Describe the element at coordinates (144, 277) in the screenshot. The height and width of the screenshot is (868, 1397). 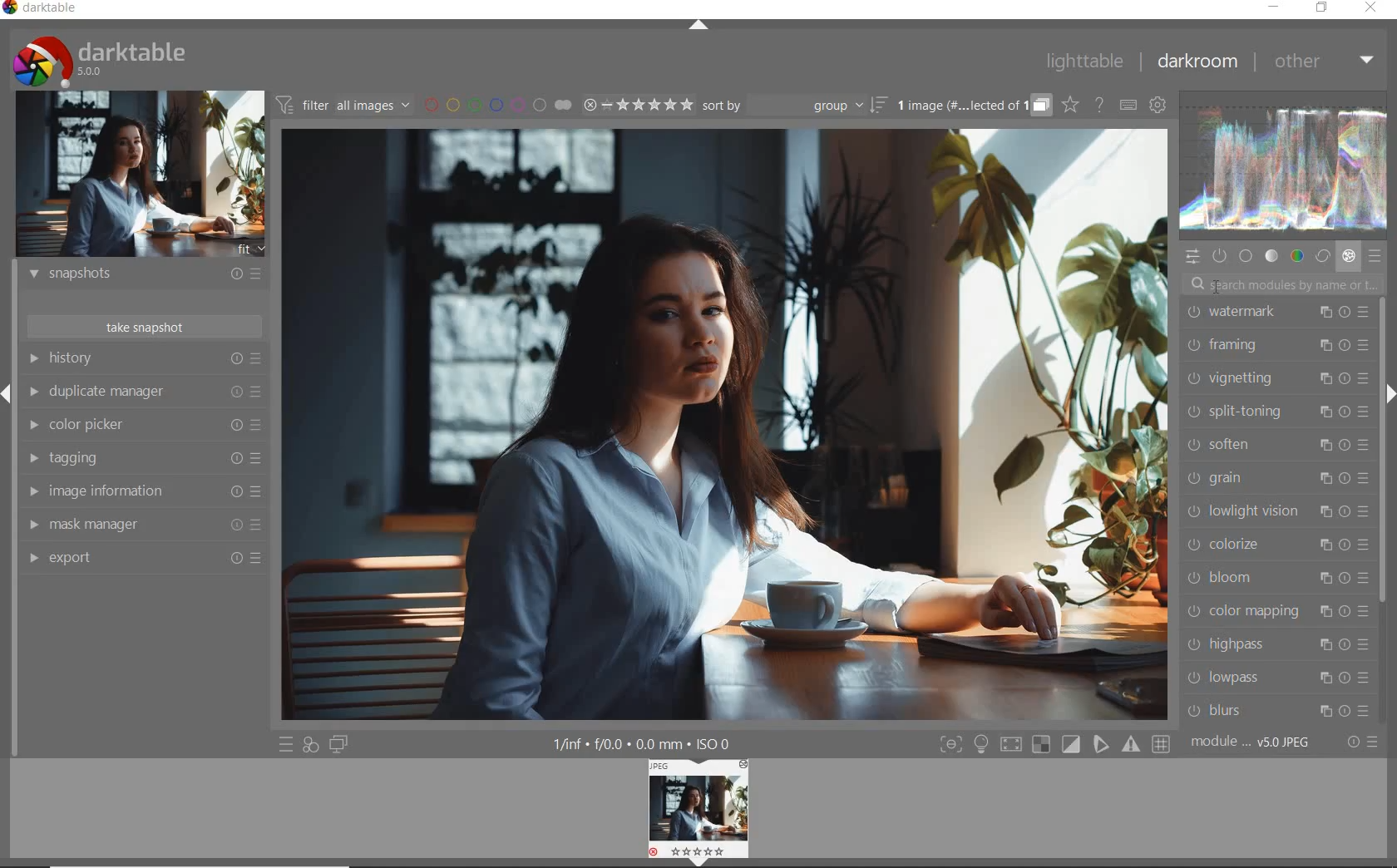
I see `snapshots` at that location.